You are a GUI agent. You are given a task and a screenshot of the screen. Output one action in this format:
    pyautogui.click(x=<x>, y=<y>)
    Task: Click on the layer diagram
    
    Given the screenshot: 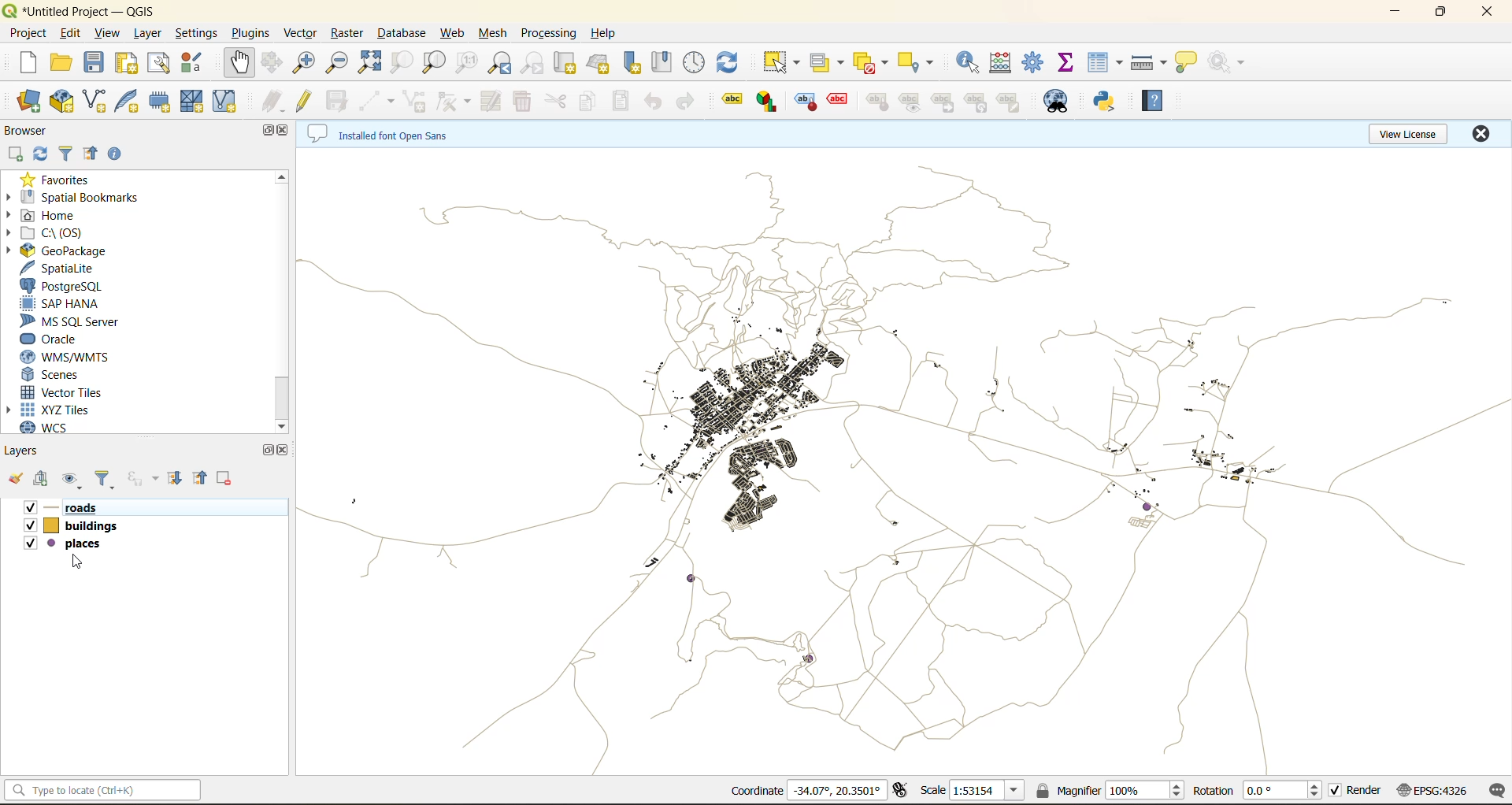 What is the action you would take?
    pyautogui.click(x=769, y=99)
    